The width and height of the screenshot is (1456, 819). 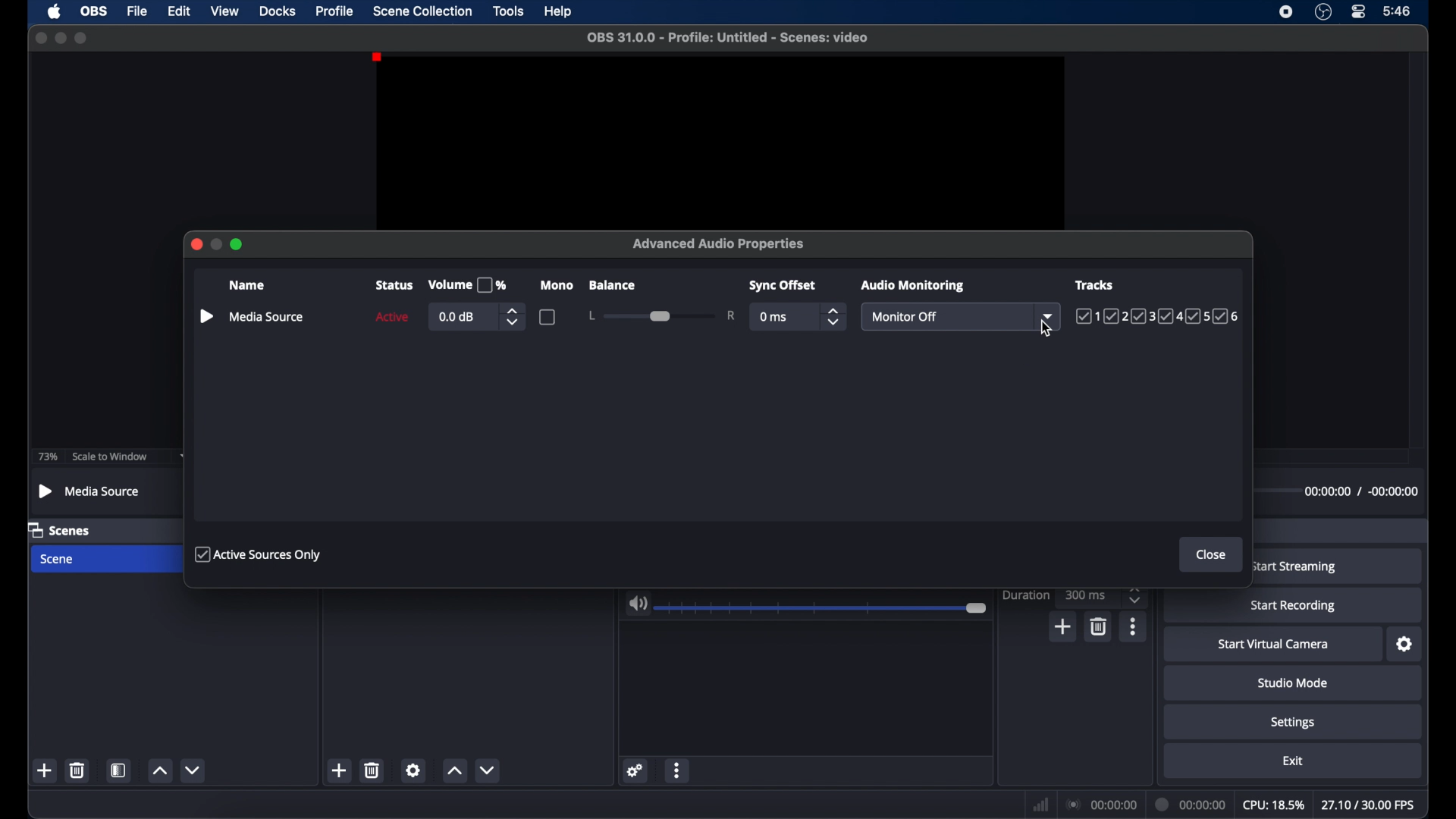 What do you see at coordinates (1323, 12) in the screenshot?
I see `obs studio` at bounding box center [1323, 12].